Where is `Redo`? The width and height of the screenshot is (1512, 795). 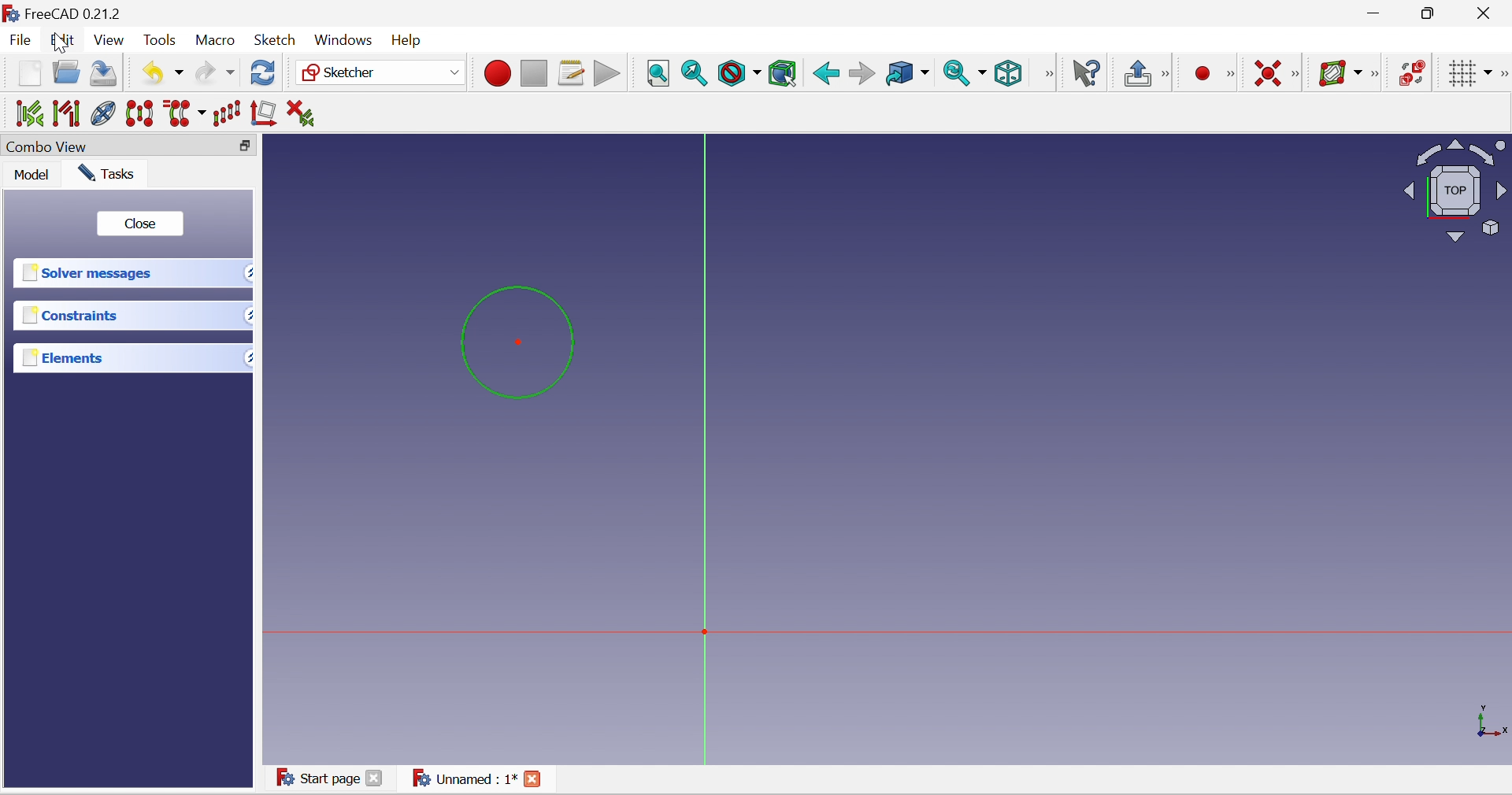 Redo is located at coordinates (213, 75).